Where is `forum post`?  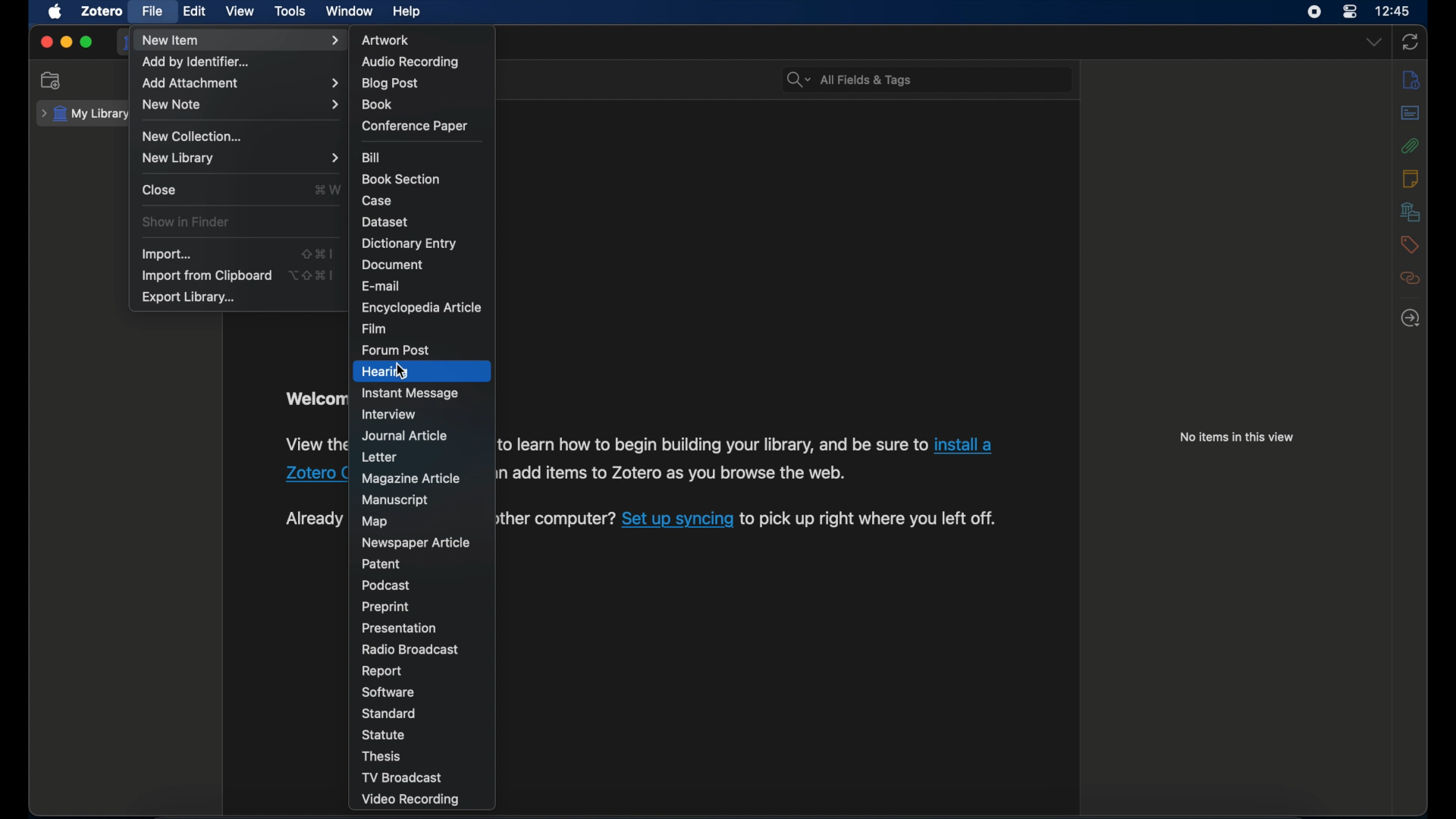
forum post is located at coordinates (395, 350).